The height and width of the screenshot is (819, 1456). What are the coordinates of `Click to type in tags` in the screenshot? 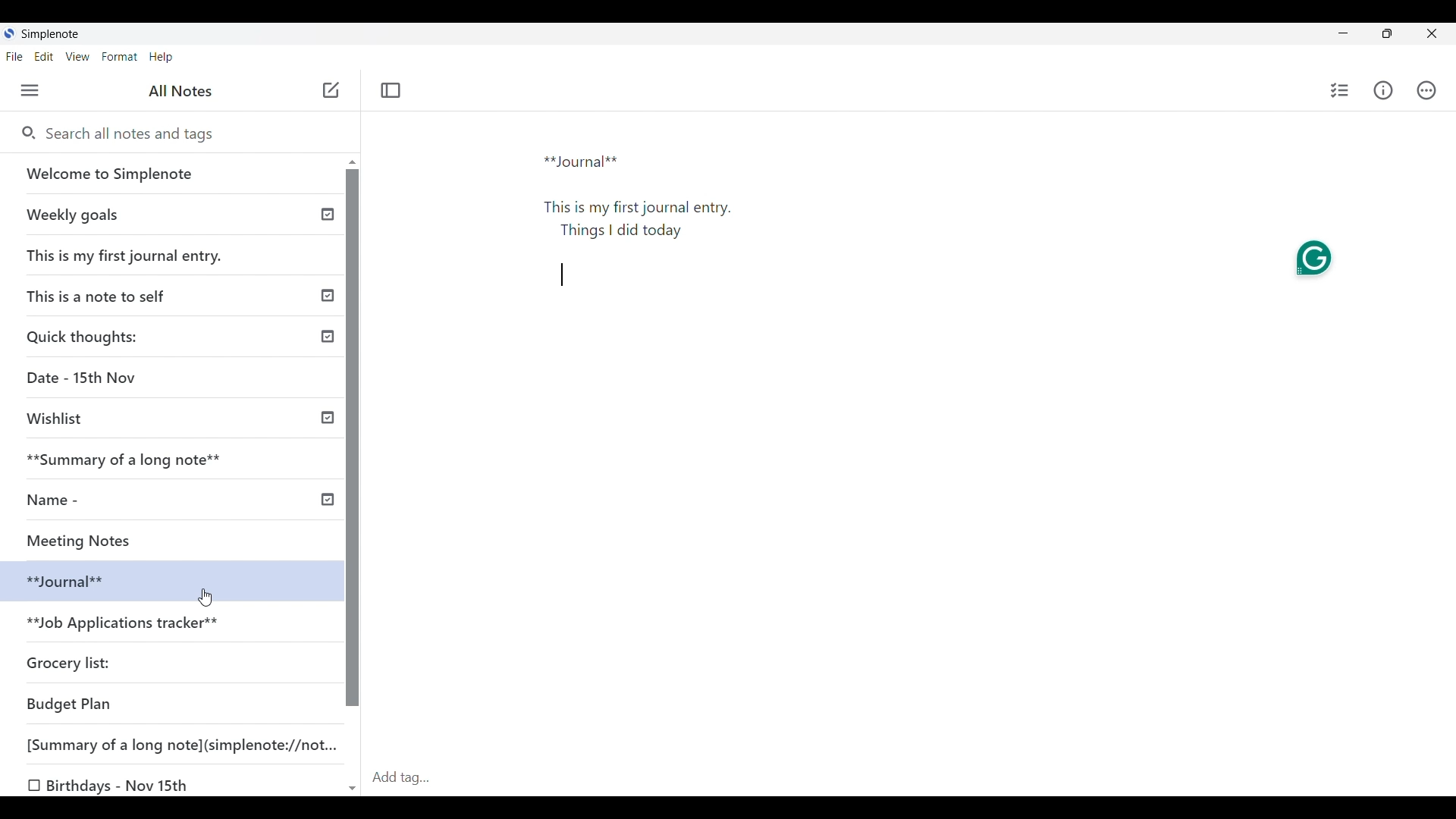 It's located at (911, 779).